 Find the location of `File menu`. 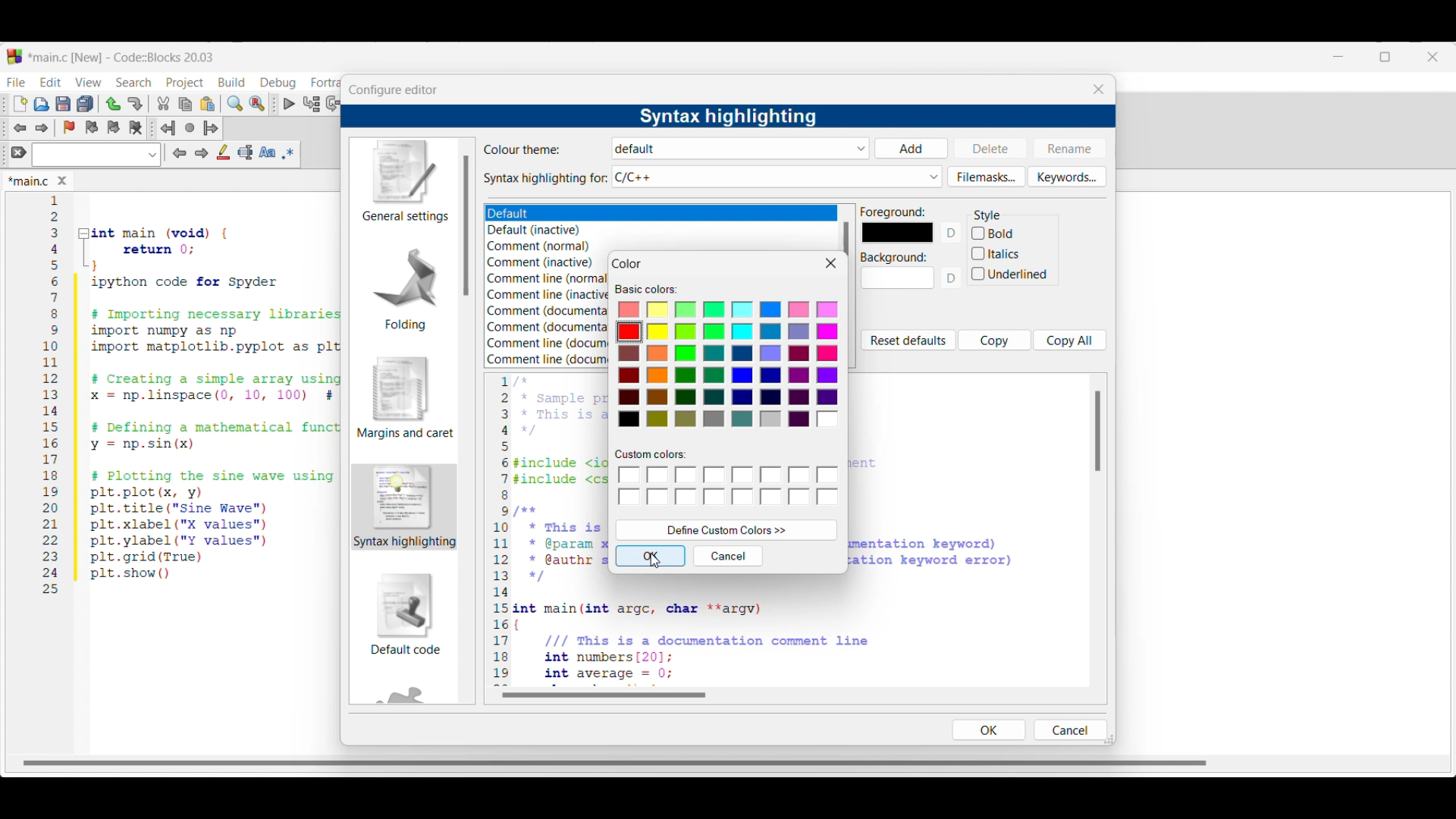

File menu is located at coordinates (16, 82).